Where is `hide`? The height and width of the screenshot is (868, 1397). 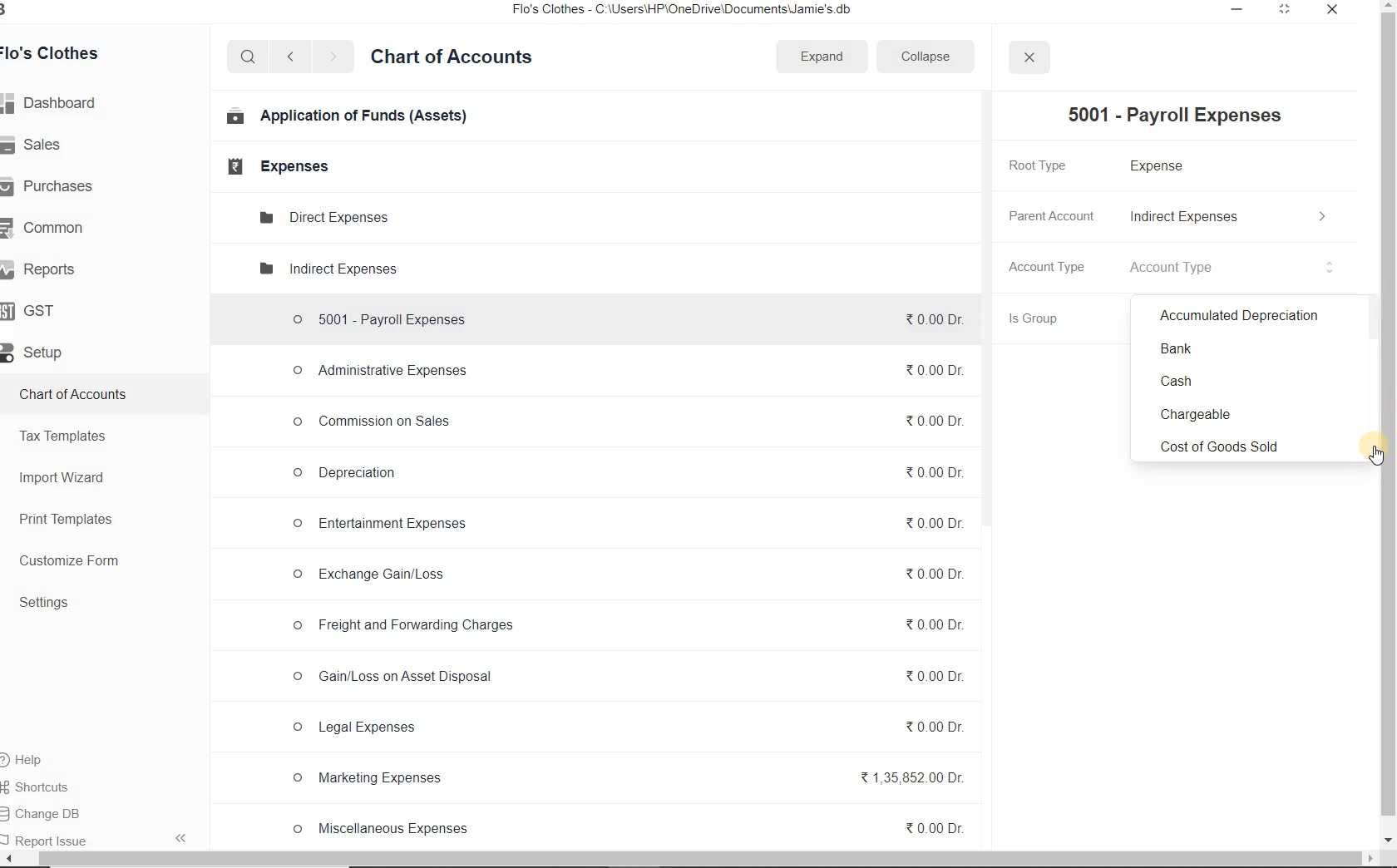
hide is located at coordinates (183, 840).